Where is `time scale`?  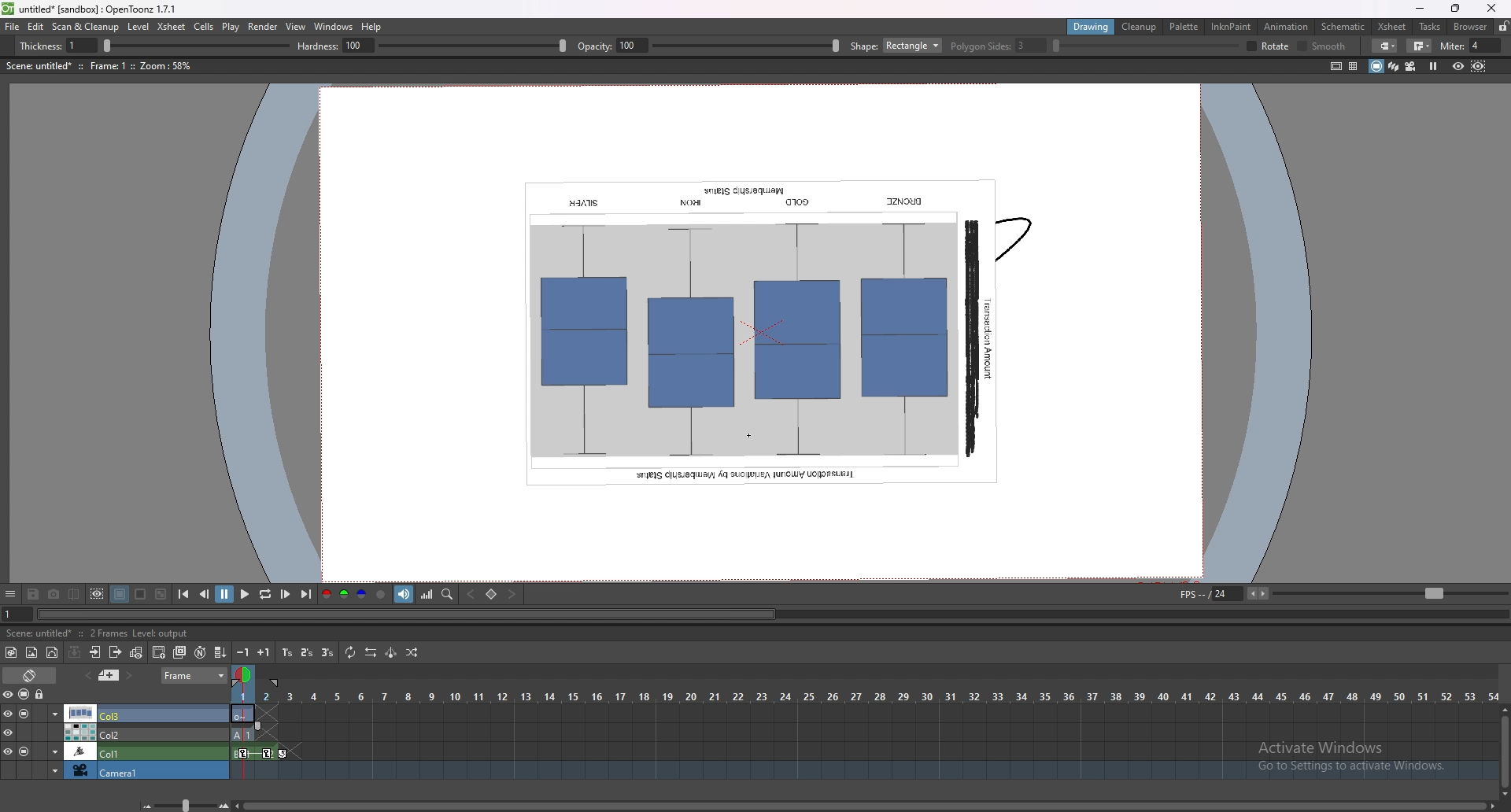 time scale is located at coordinates (865, 696).